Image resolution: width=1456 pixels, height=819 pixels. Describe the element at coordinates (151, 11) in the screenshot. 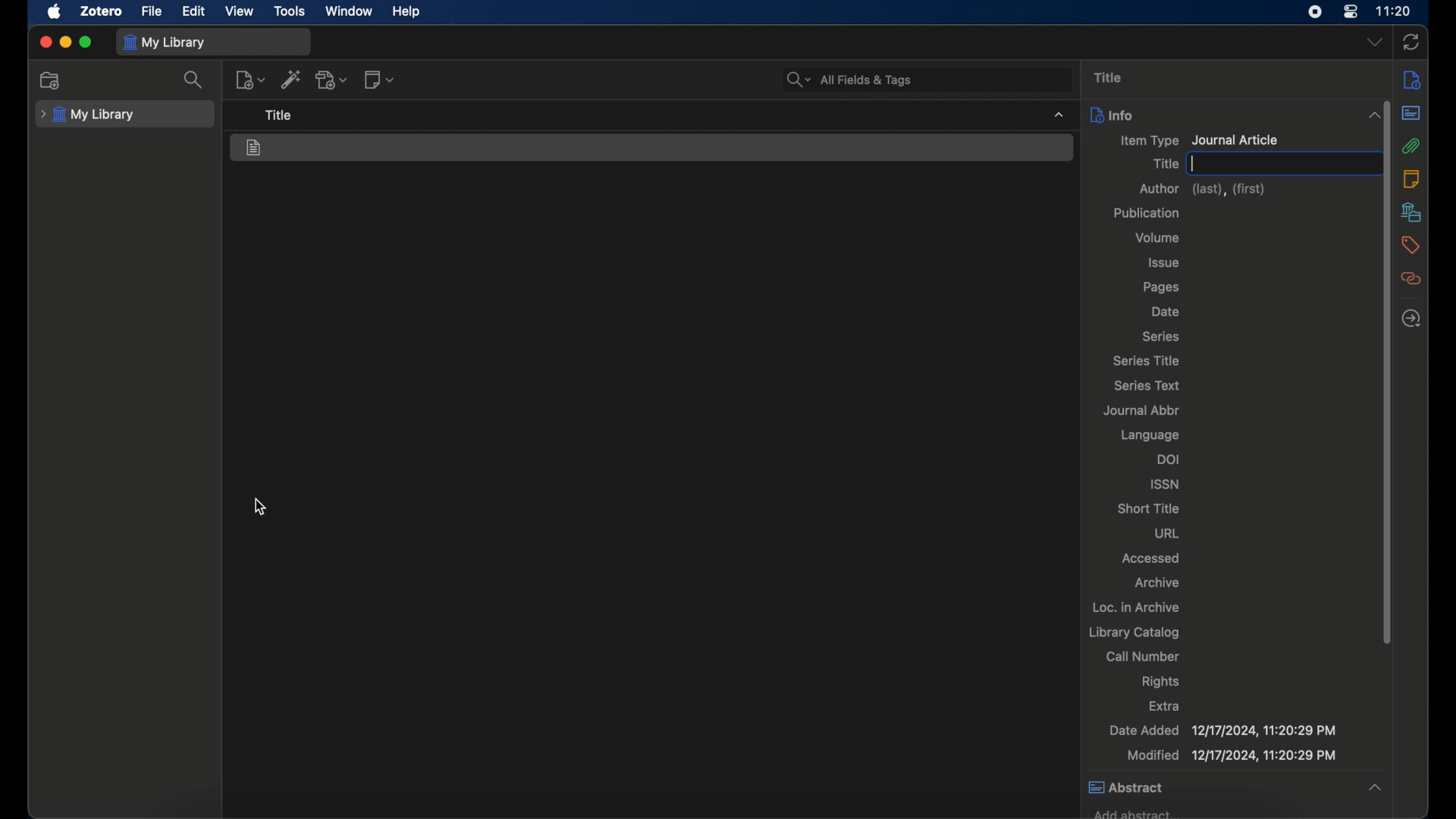

I see `file` at that location.